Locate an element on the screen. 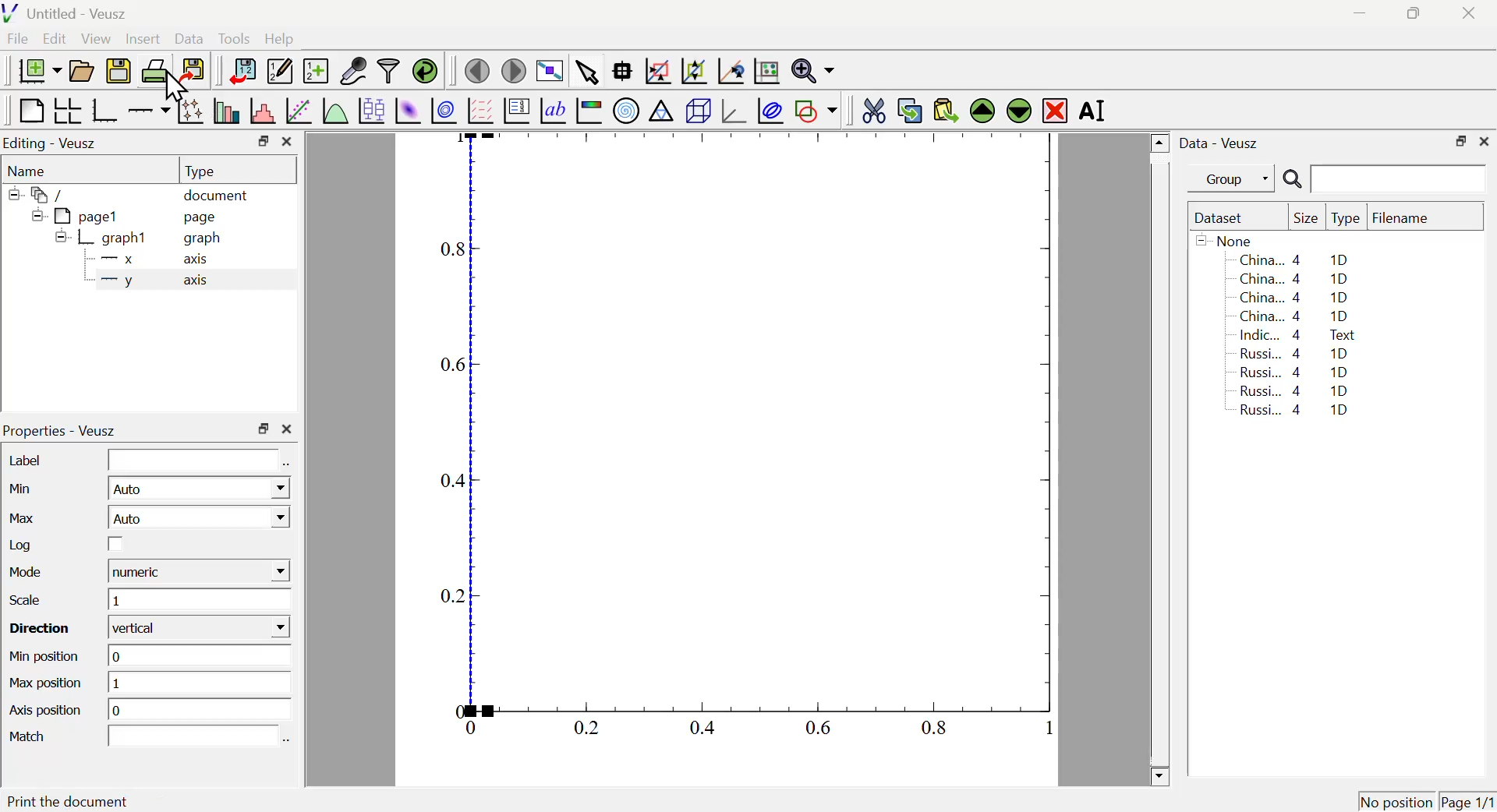 This screenshot has height=812, width=1497. Cursor is located at coordinates (178, 87).